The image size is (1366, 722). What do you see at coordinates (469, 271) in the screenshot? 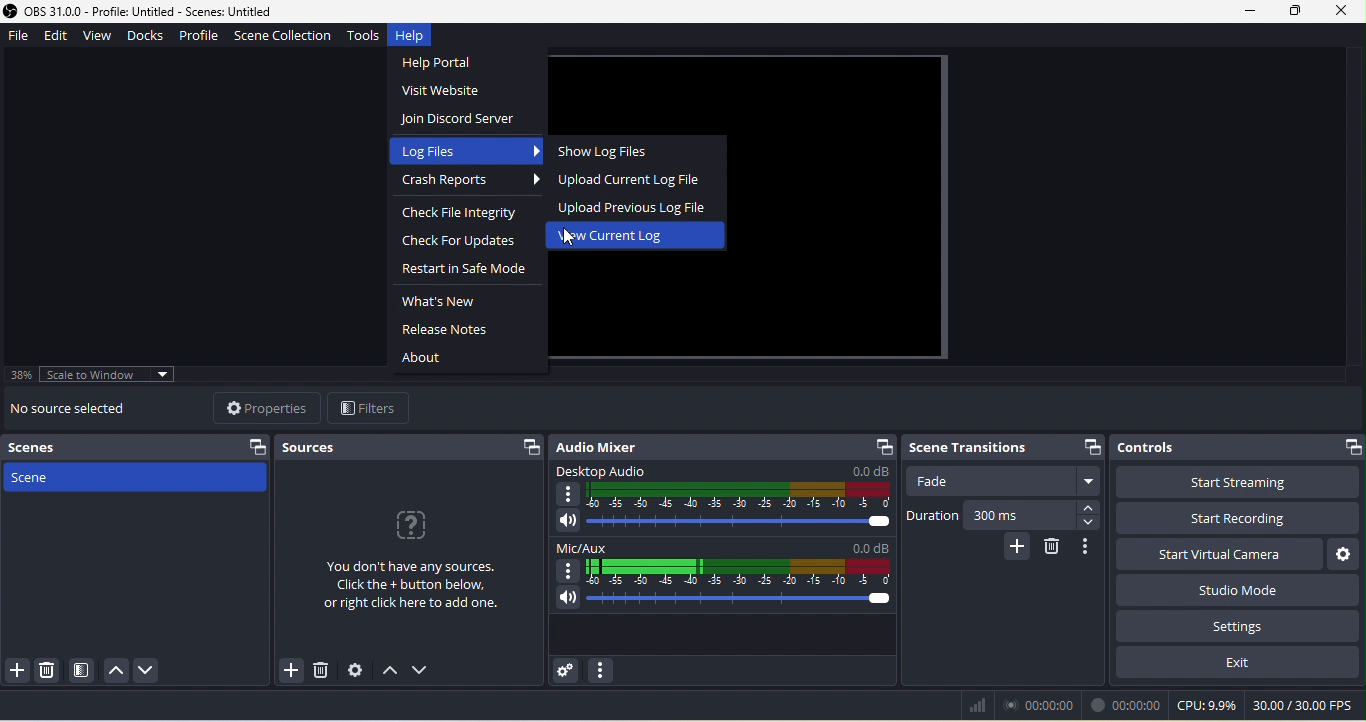
I see `restart in safe mode` at bounding box center [469, 271].